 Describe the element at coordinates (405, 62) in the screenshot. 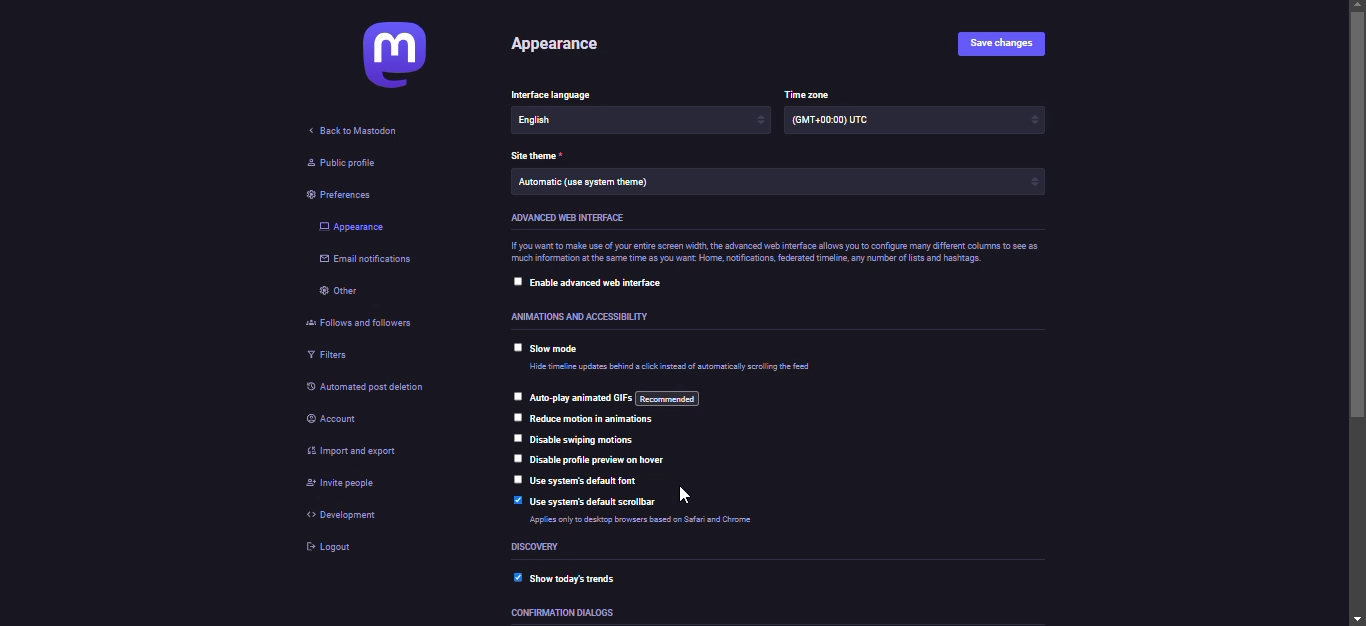

I see `mastodon` at that location.